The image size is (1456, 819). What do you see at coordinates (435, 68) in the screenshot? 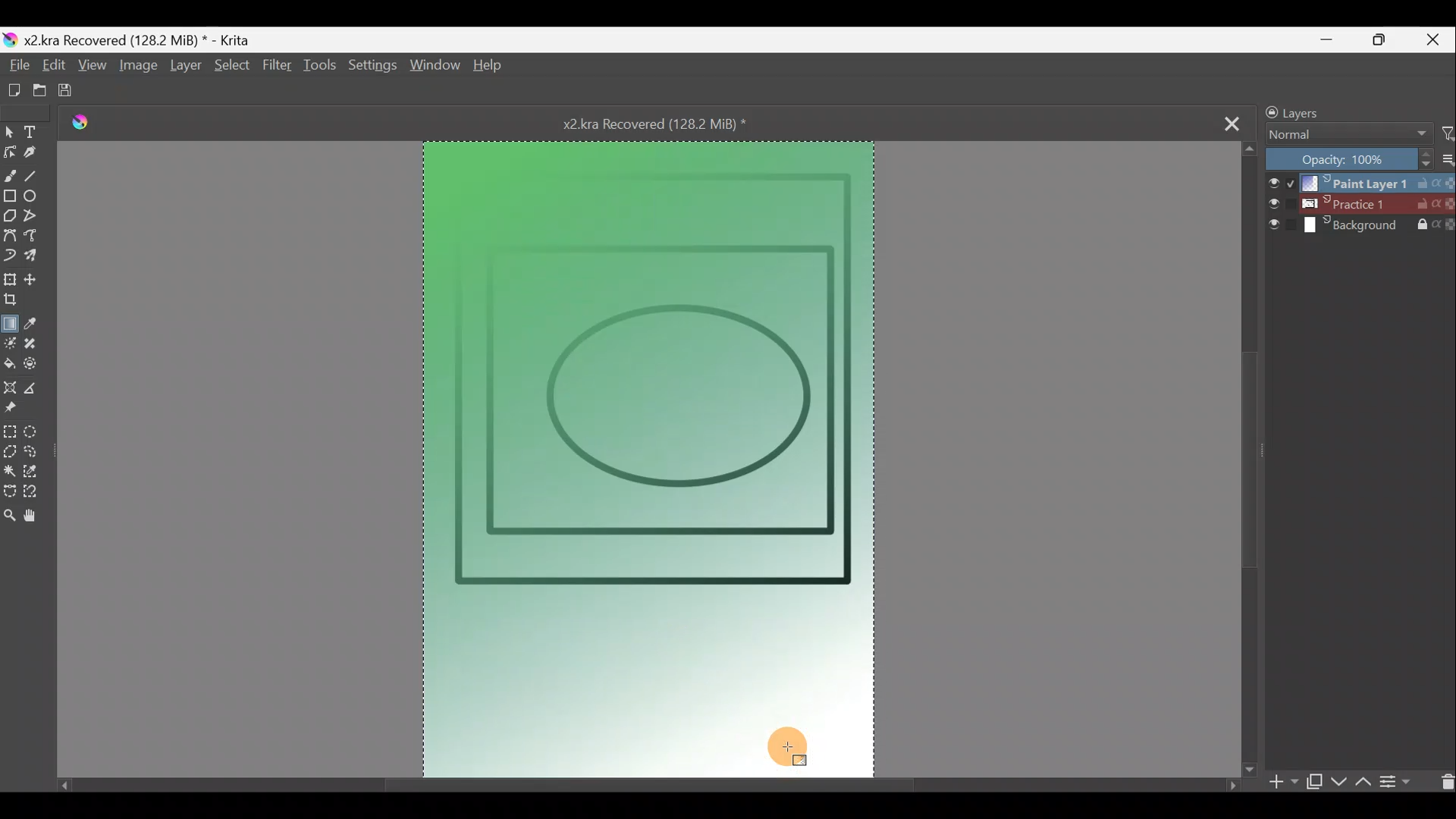
I see `Window` at bounding box center [435, 68].